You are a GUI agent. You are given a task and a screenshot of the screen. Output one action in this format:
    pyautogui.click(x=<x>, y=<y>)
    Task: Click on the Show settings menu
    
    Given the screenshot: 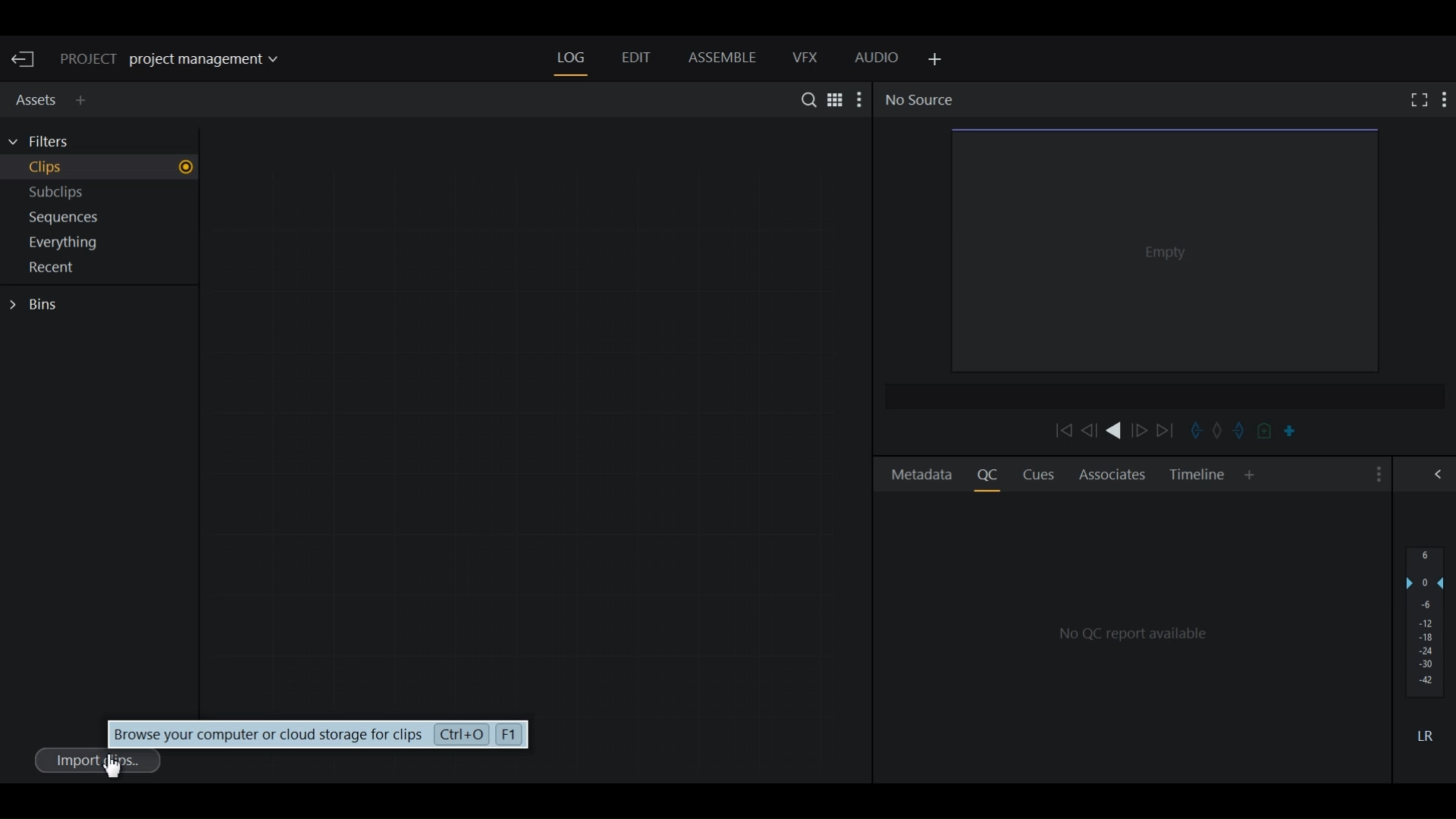 What is the action you would take?
    pyautogui.click(x=1376, y=475)
    